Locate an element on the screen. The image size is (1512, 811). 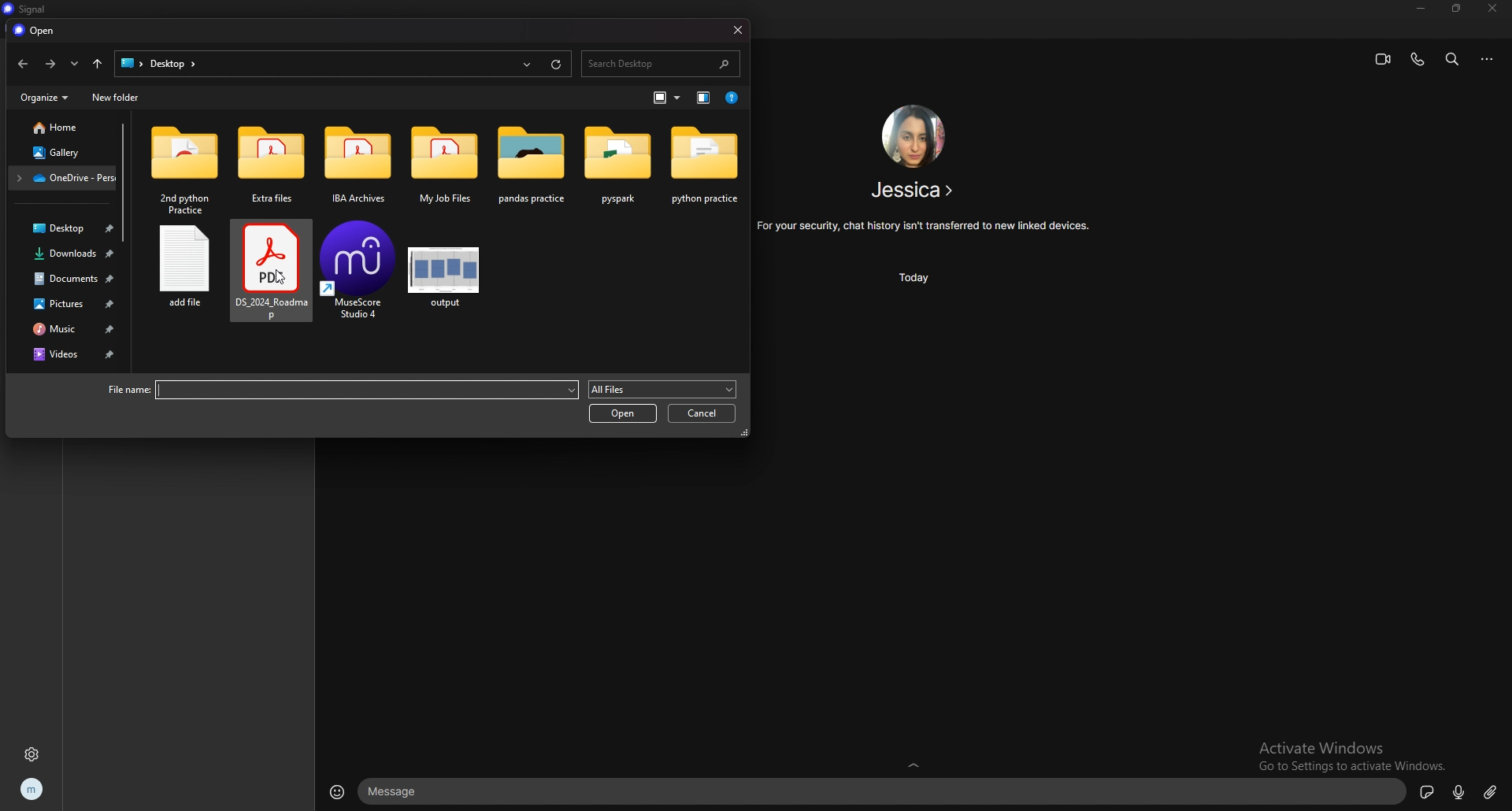
sticker is located at coordinates (1427, 791).